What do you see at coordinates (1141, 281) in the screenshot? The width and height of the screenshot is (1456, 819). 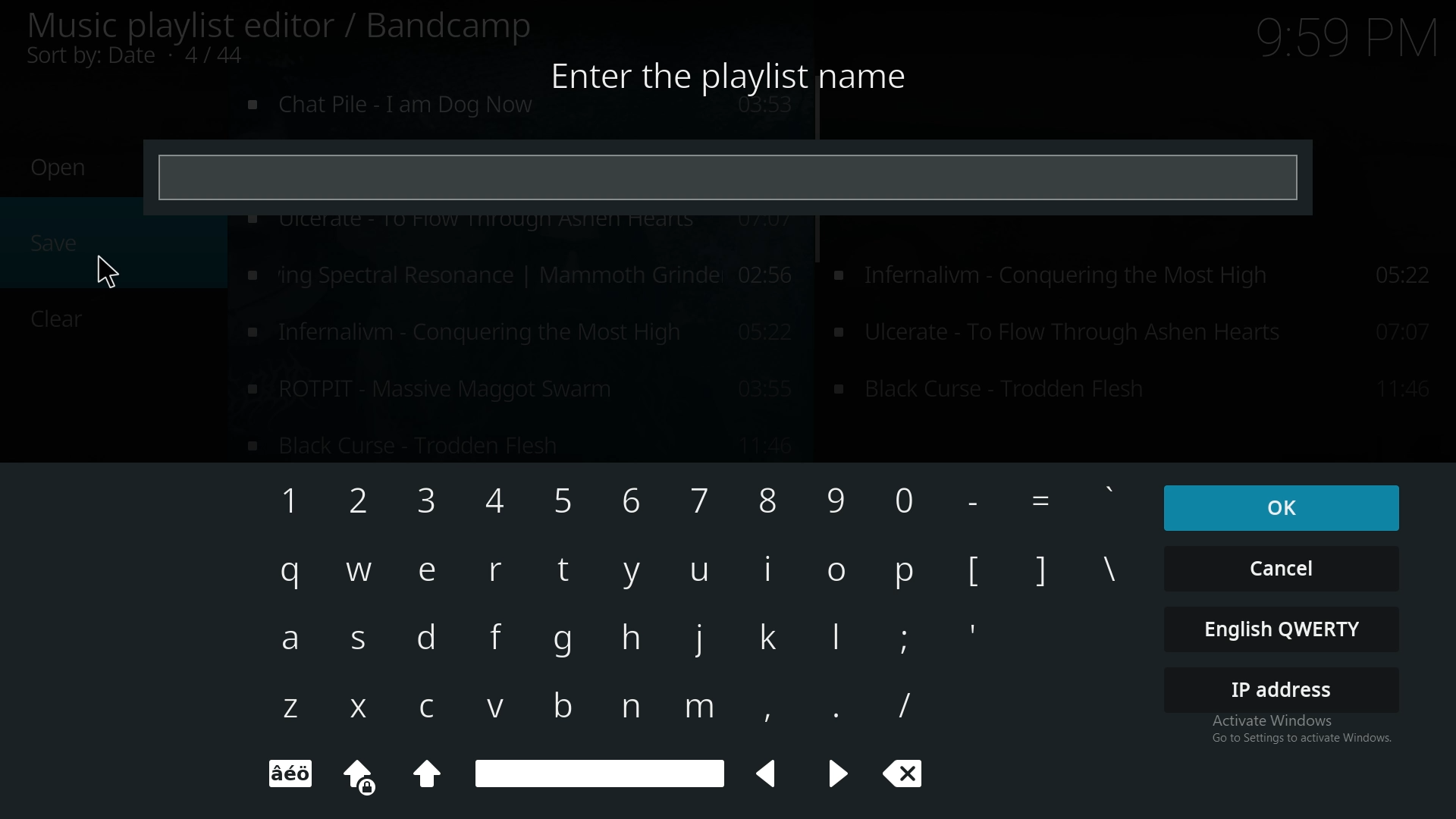 I see `Infernalivm - Conquering the Most High 05:22` at bounding box center [1141, 281].